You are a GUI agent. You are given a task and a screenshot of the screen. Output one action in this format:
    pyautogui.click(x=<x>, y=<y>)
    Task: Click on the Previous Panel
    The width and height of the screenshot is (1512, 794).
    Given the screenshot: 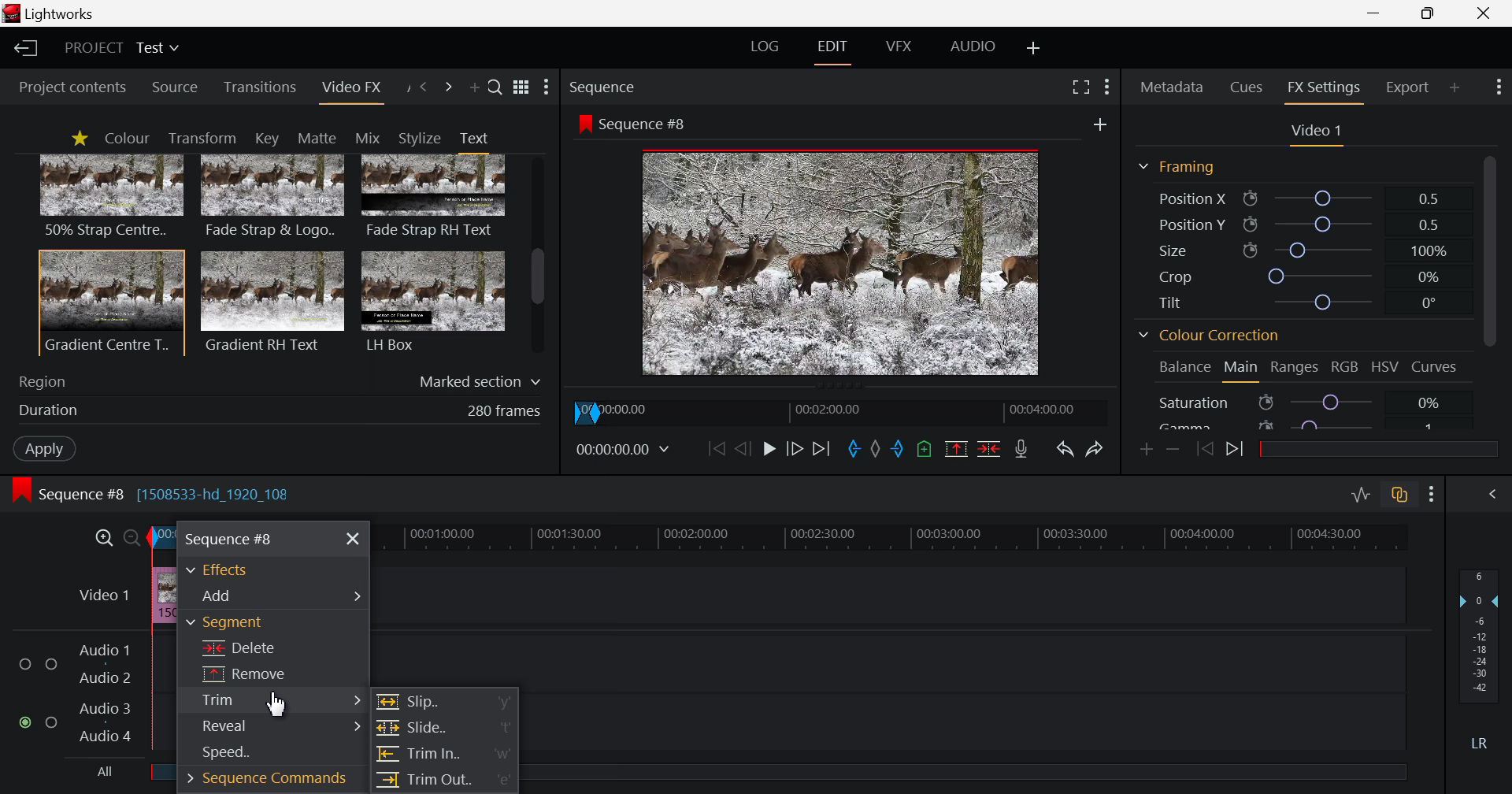 What is the action you would take?
    pyautogui.click(x=424, y=86)
    